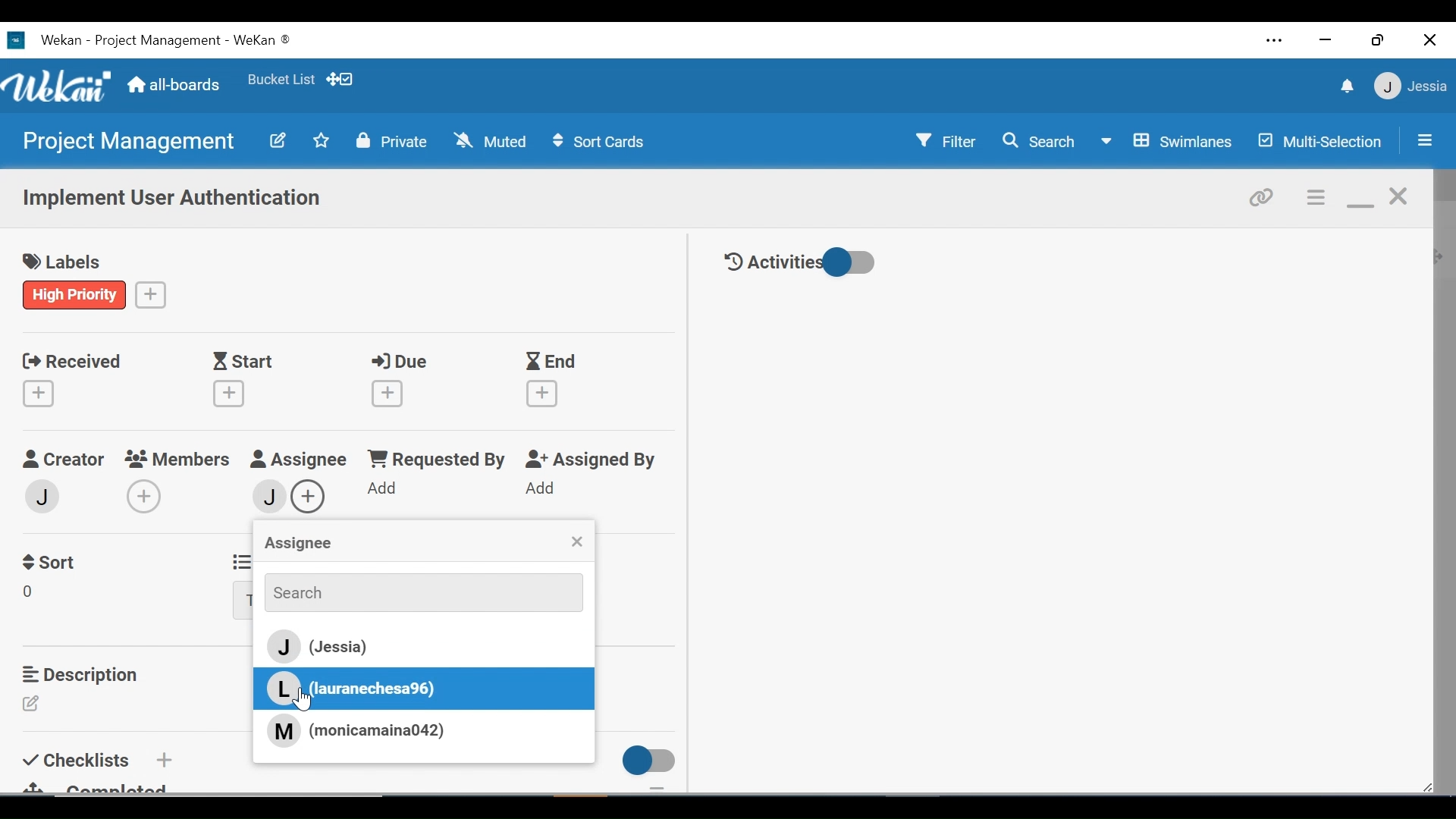 The width and height of the screenshot is (1456, 819). I want to click on Add, so click(162, 759).